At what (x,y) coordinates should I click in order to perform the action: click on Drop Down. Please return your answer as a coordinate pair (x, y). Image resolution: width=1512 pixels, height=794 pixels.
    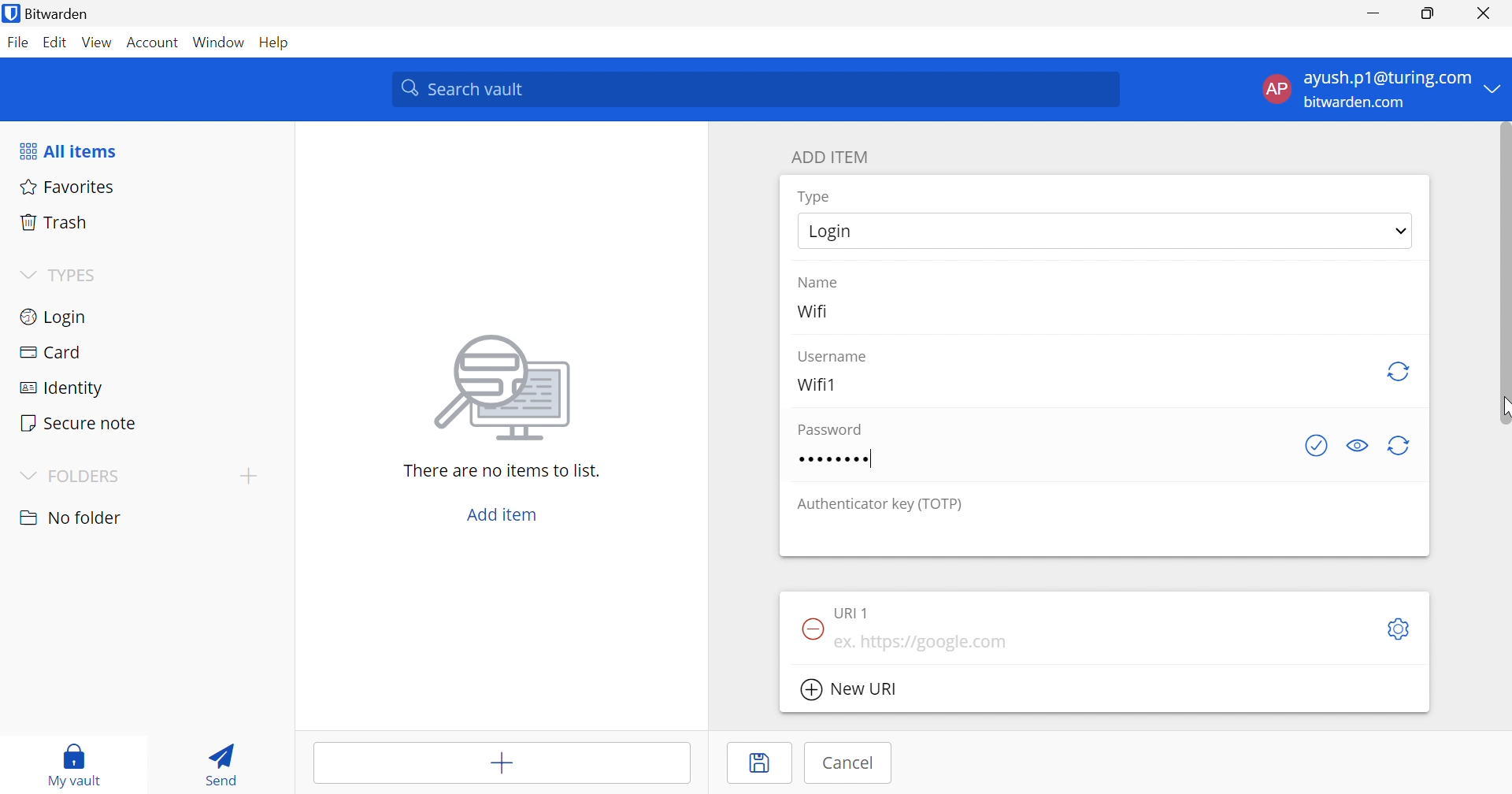
    Looking at the image, I should click on (1402, 230).